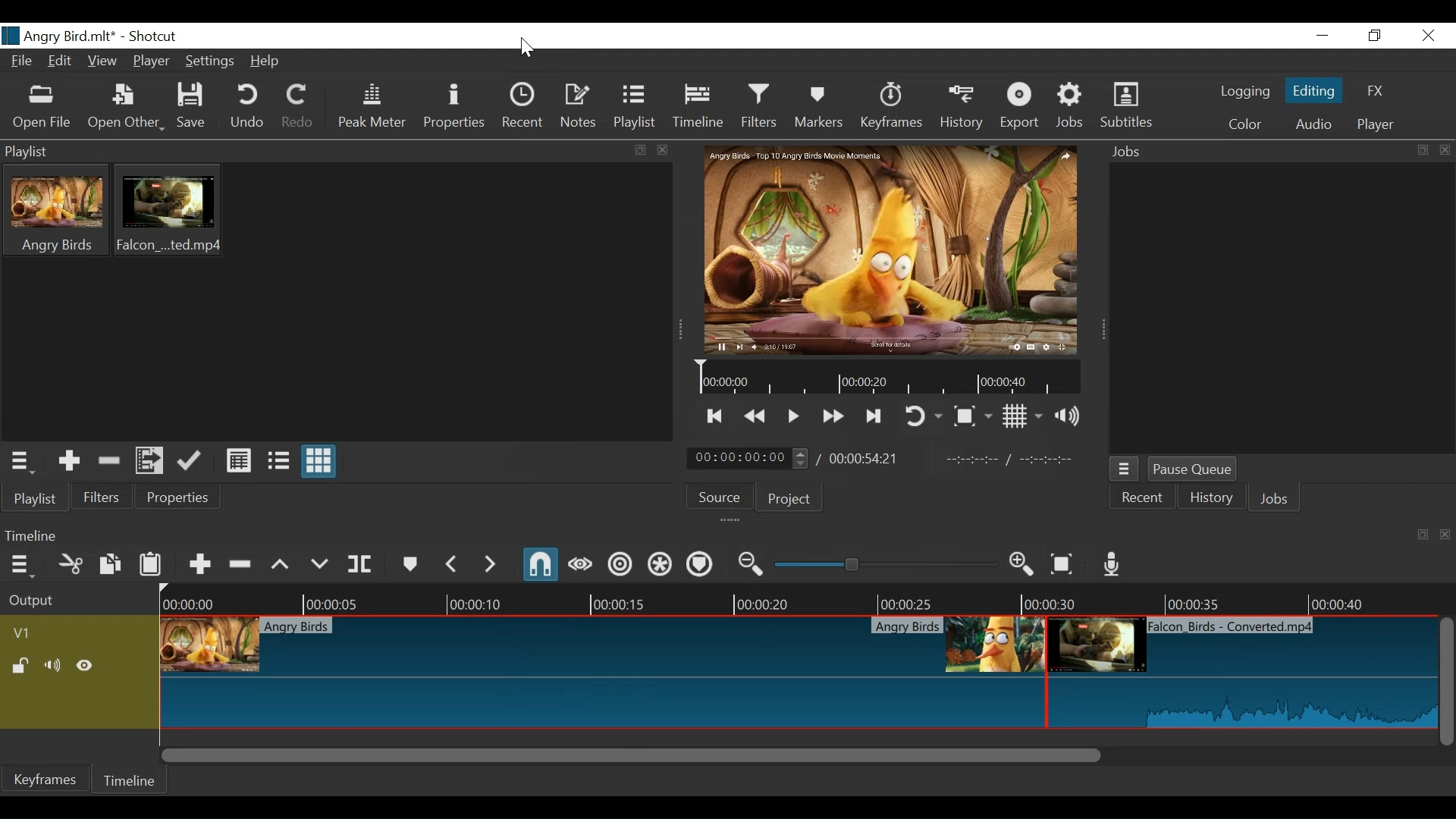 Image resolution: width=1456 pixels, height=819 pixels. I want to click on Clip, so click(603, 673).